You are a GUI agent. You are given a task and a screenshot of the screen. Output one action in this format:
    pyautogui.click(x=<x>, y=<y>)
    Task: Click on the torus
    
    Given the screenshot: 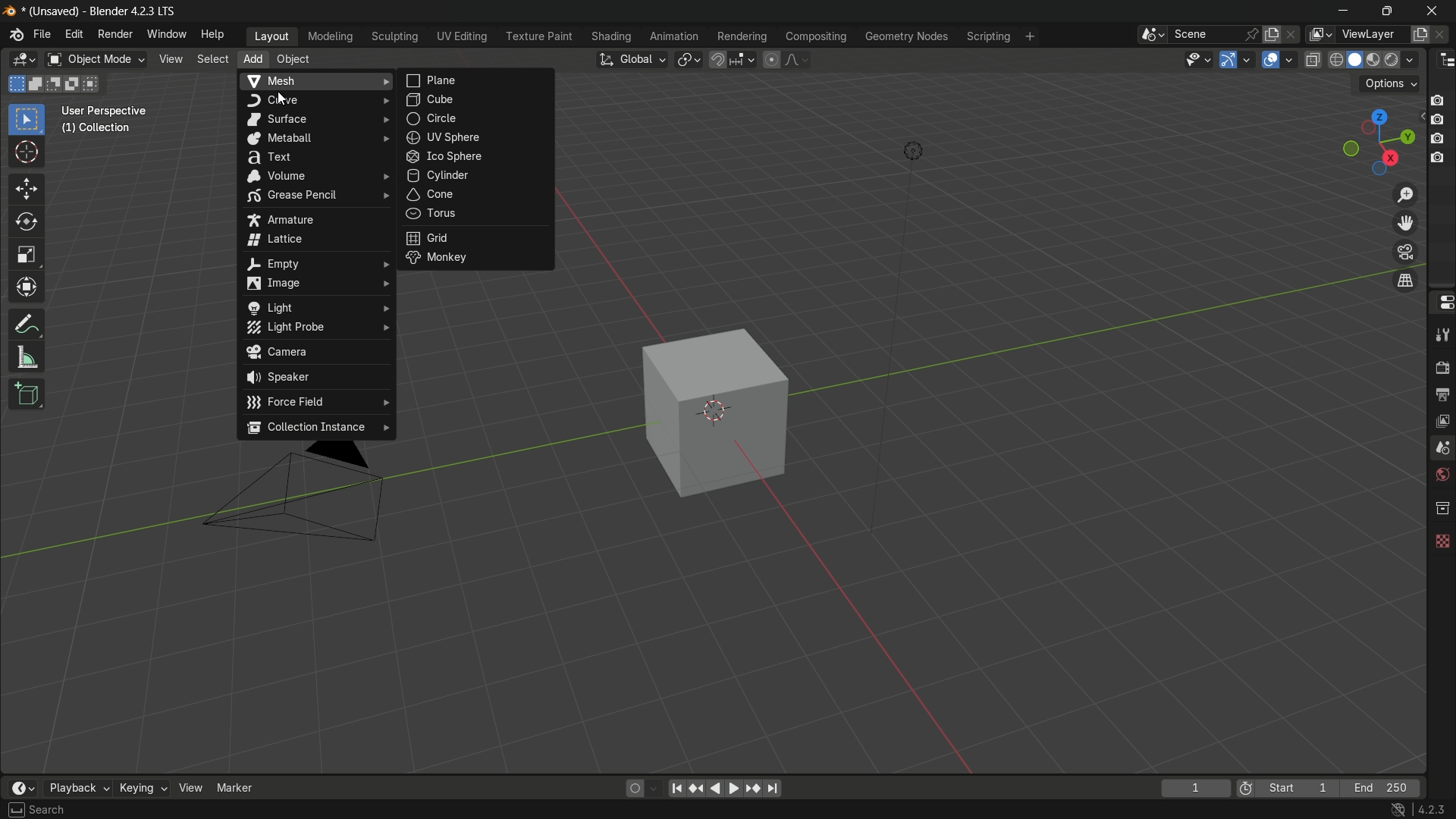 What is the action you would take?
    pyautogui.click(x=475, y=215)
    